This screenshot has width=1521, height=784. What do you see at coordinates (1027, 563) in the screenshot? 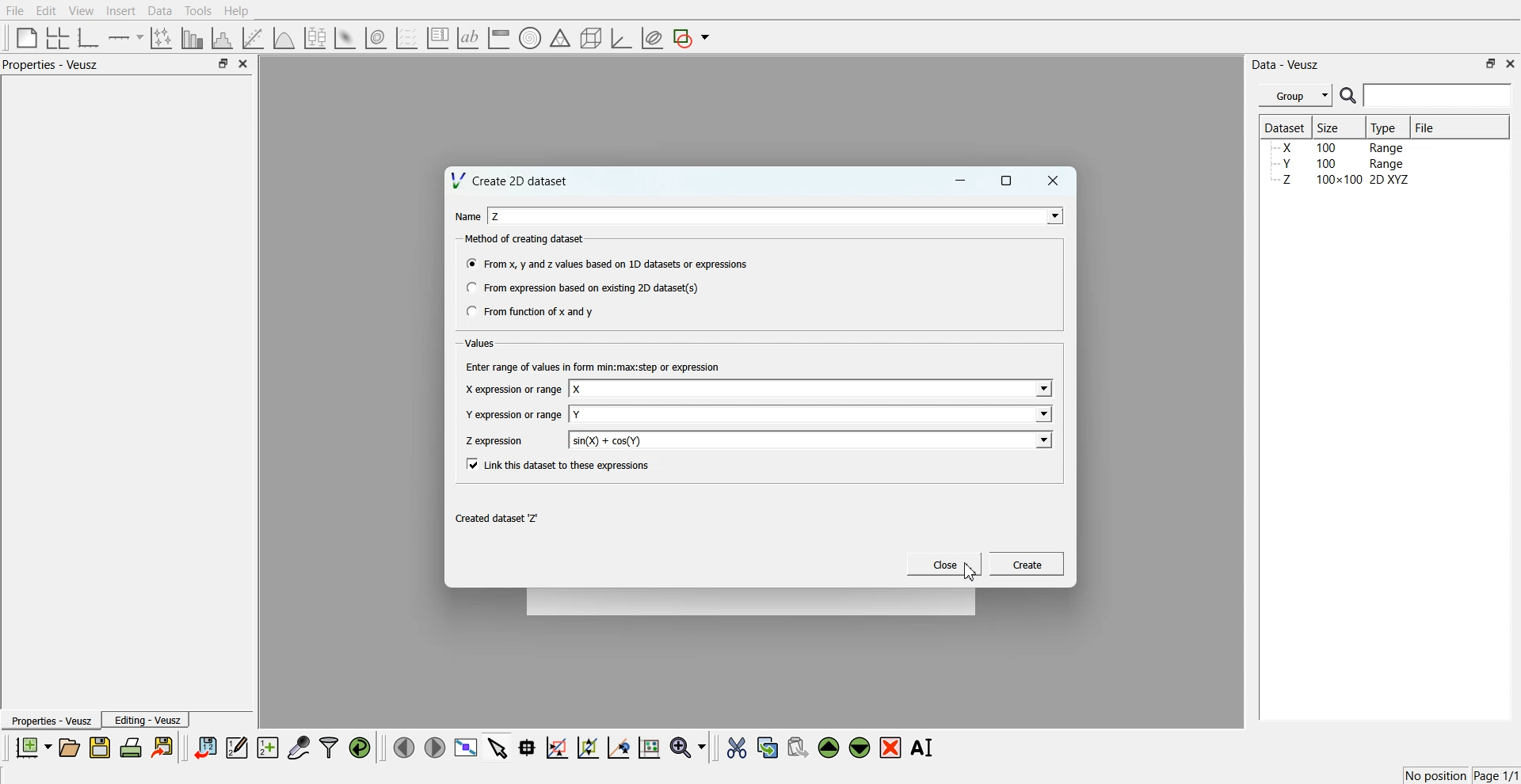
I see `Create` at bounding box center [1027, 563].